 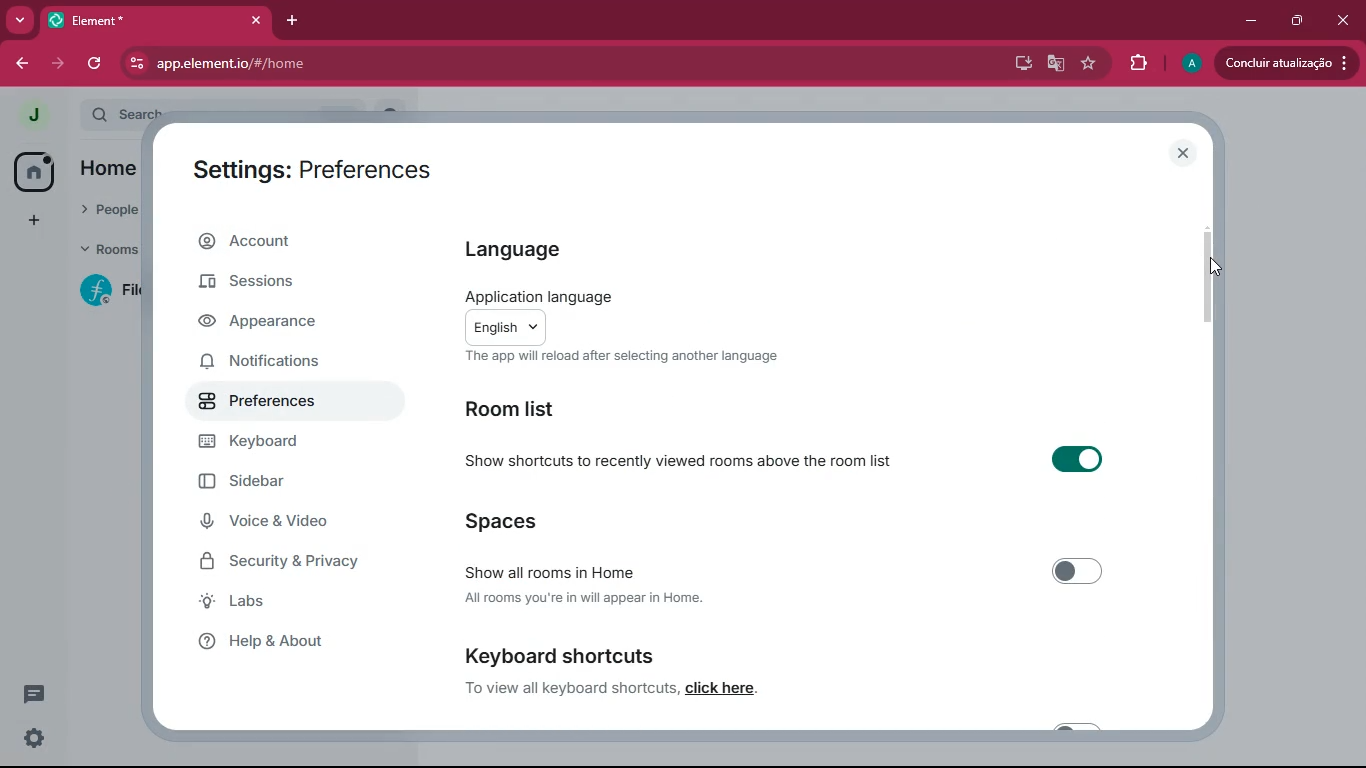 What do you see at coordinates (19, 64) in the screenshot?
I see `back` at bounding box center [19, 64].